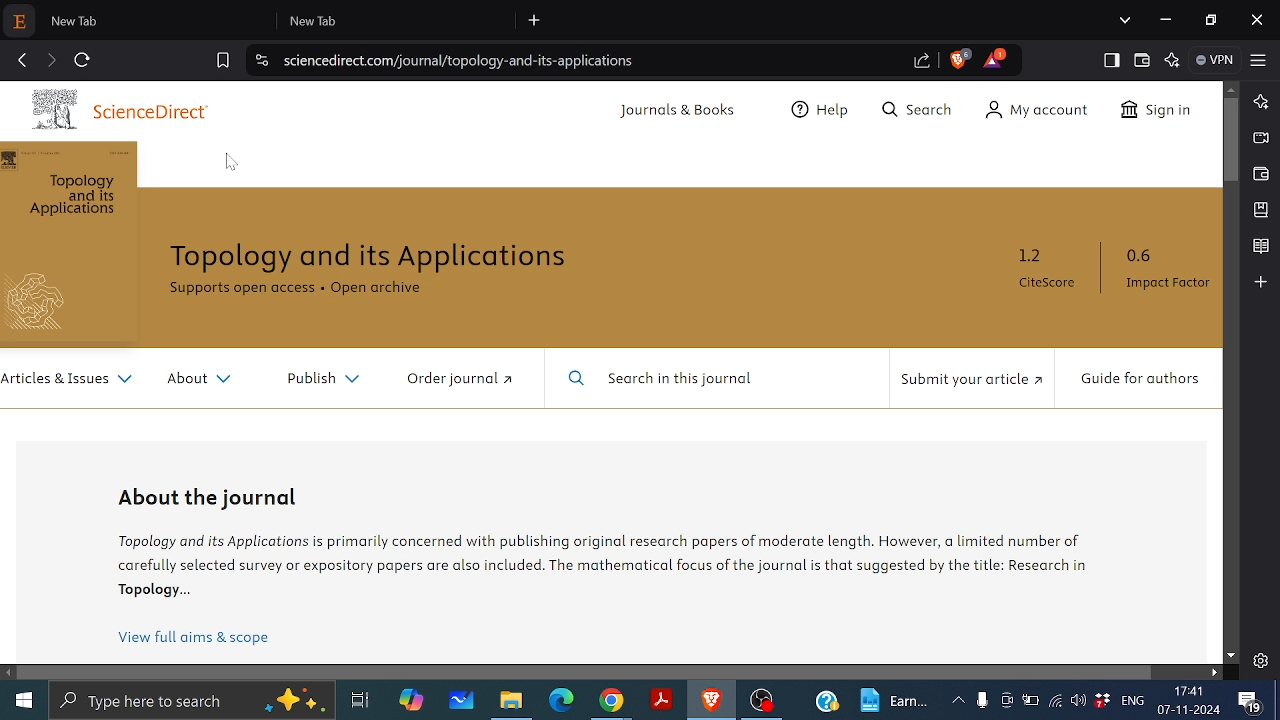 The height and width of the screenshot is (720, 1280). I want to click on Move left, so click(10, 672).